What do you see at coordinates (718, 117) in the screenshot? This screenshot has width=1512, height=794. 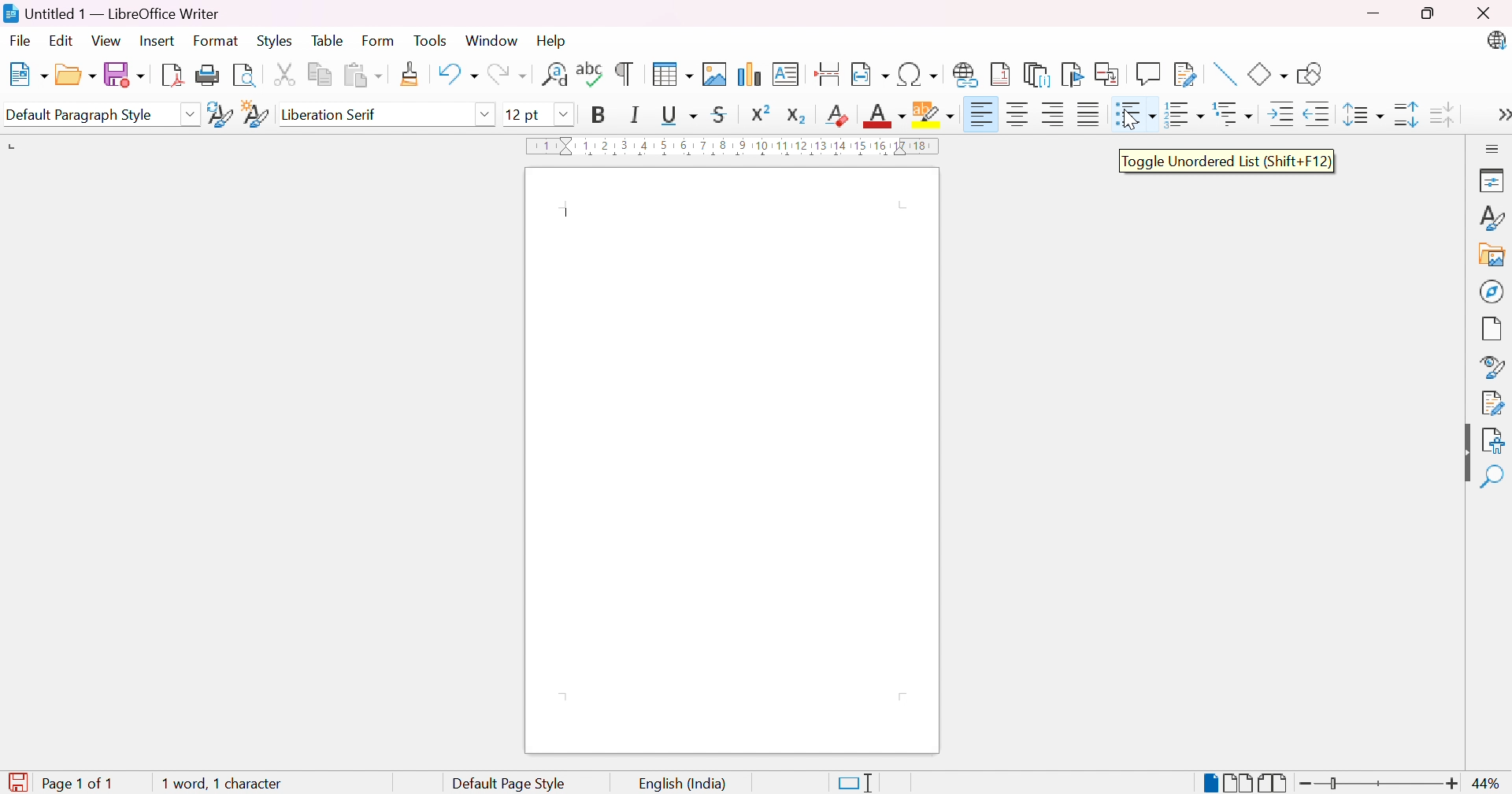 I see `Strikethrough` at bounding box center [718, 117].